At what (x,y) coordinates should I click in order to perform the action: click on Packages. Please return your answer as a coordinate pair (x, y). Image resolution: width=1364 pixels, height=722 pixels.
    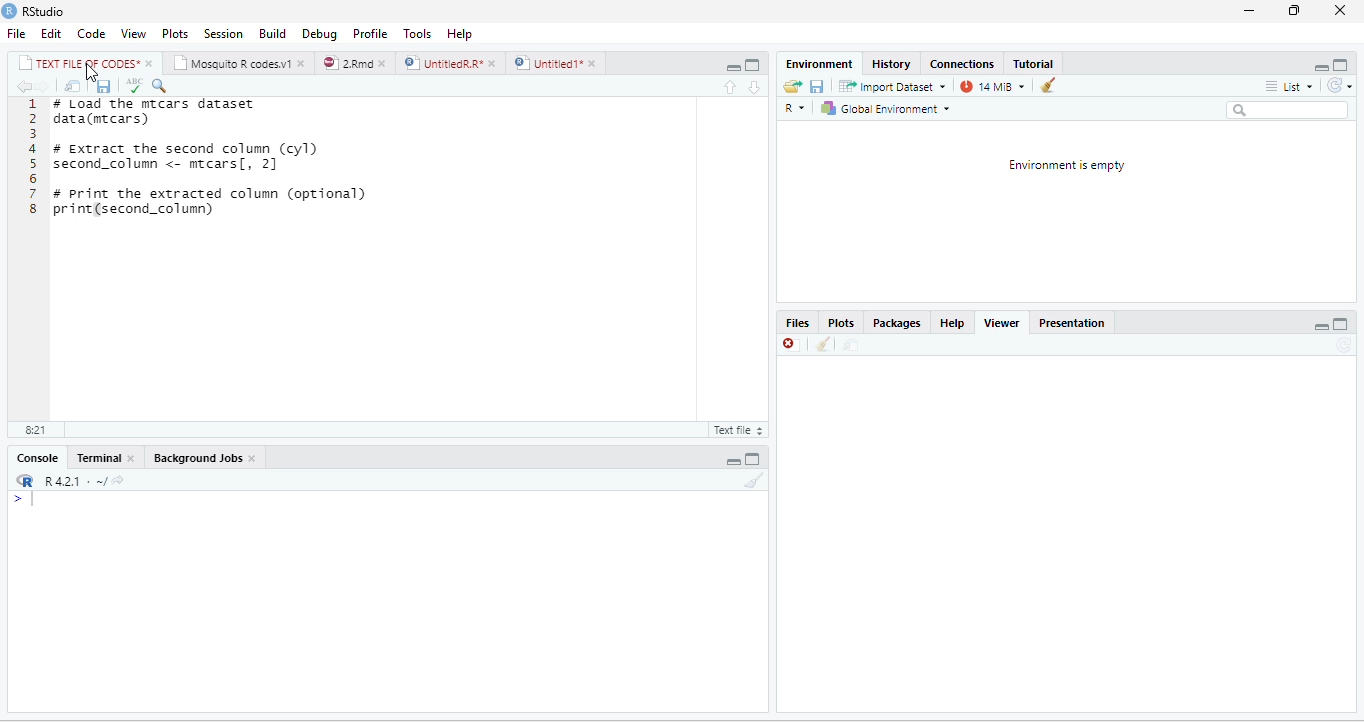
    Looking at the image, I should click on (899, 324).